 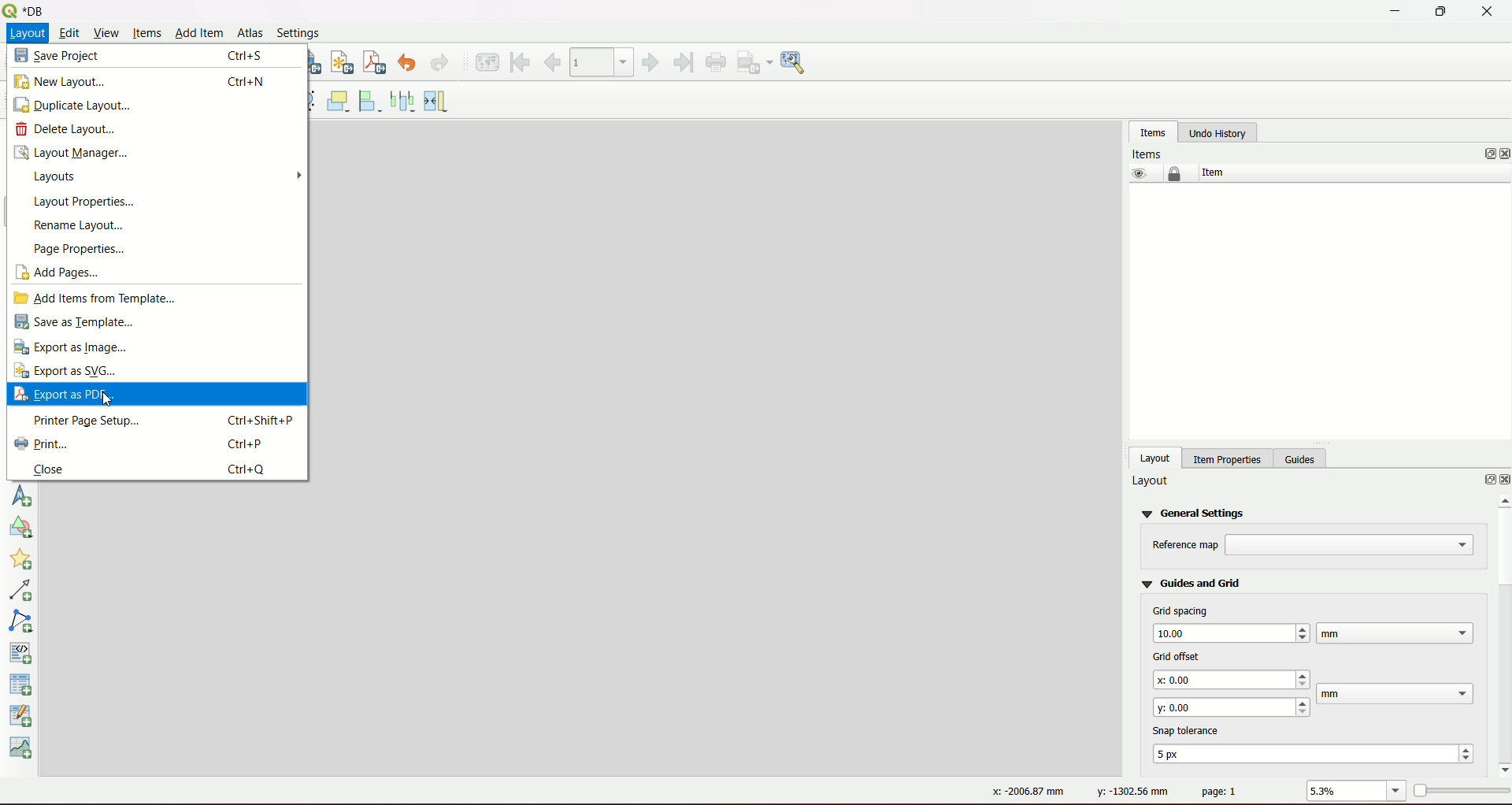 I want to click on page no, so click(x=1220, y=791).